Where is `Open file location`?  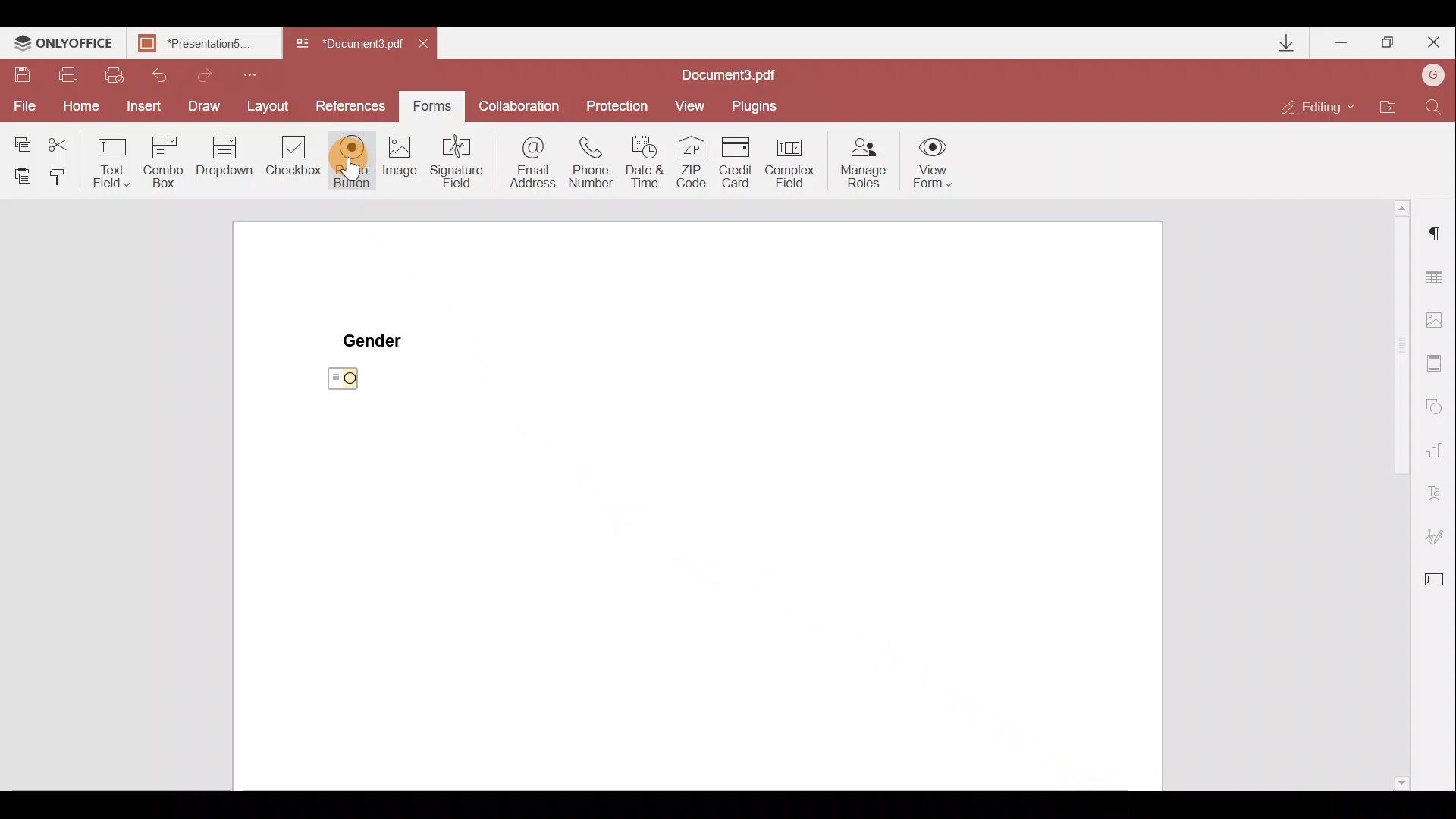
Open file location is located at coordinates (1395, 105).